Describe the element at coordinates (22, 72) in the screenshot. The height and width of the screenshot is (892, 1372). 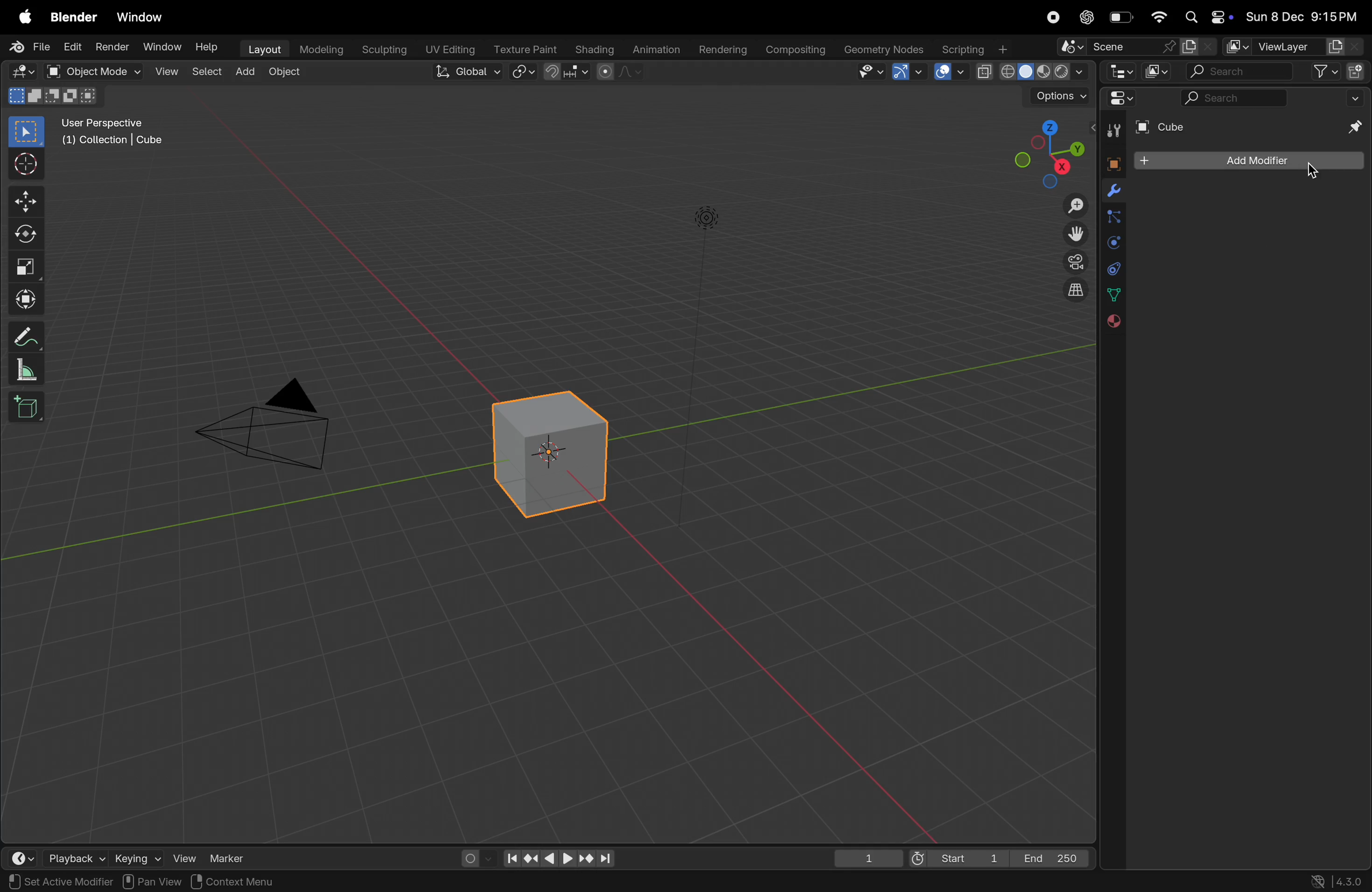
I see `editor type` at that location.